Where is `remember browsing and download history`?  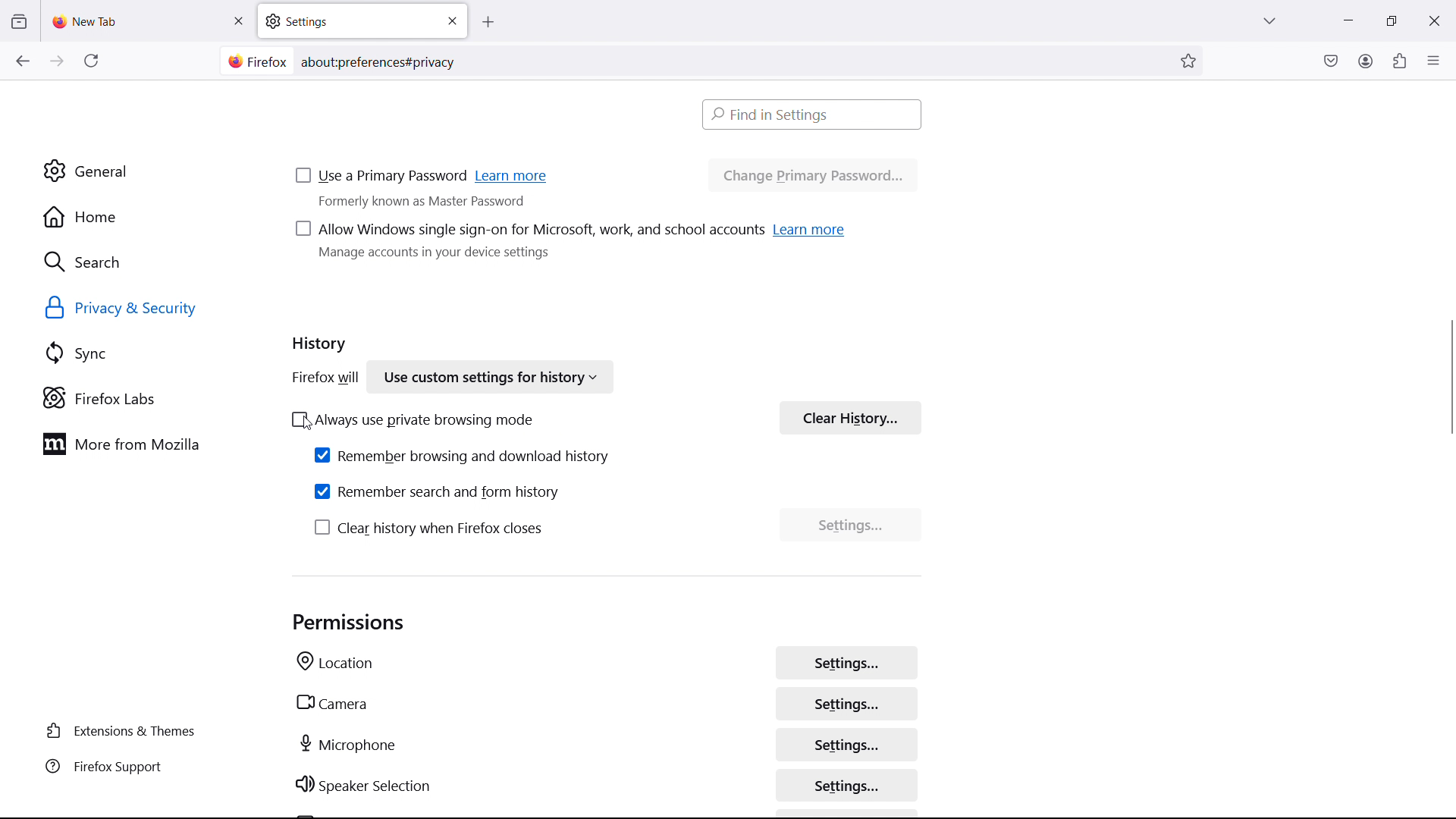 remember browsing and download history is located at coordinates (463, 455).